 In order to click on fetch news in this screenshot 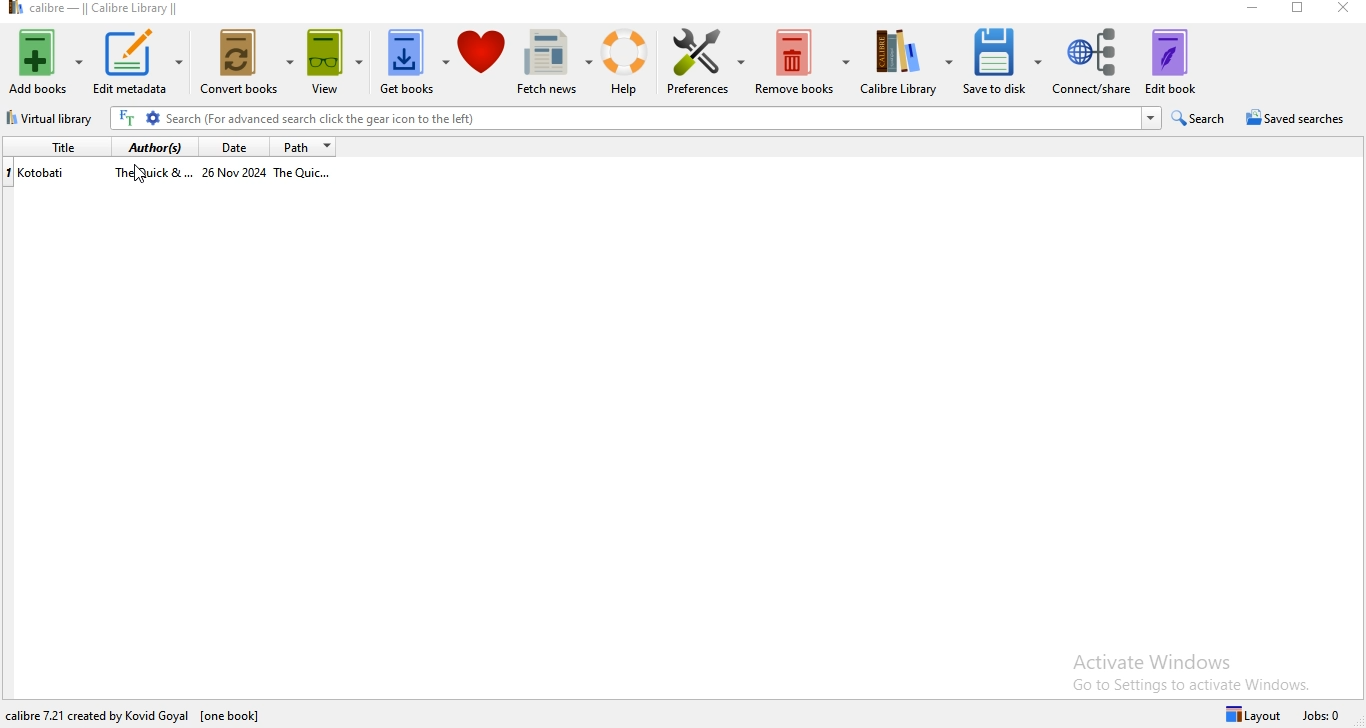, I will do `click(548, 64)`.